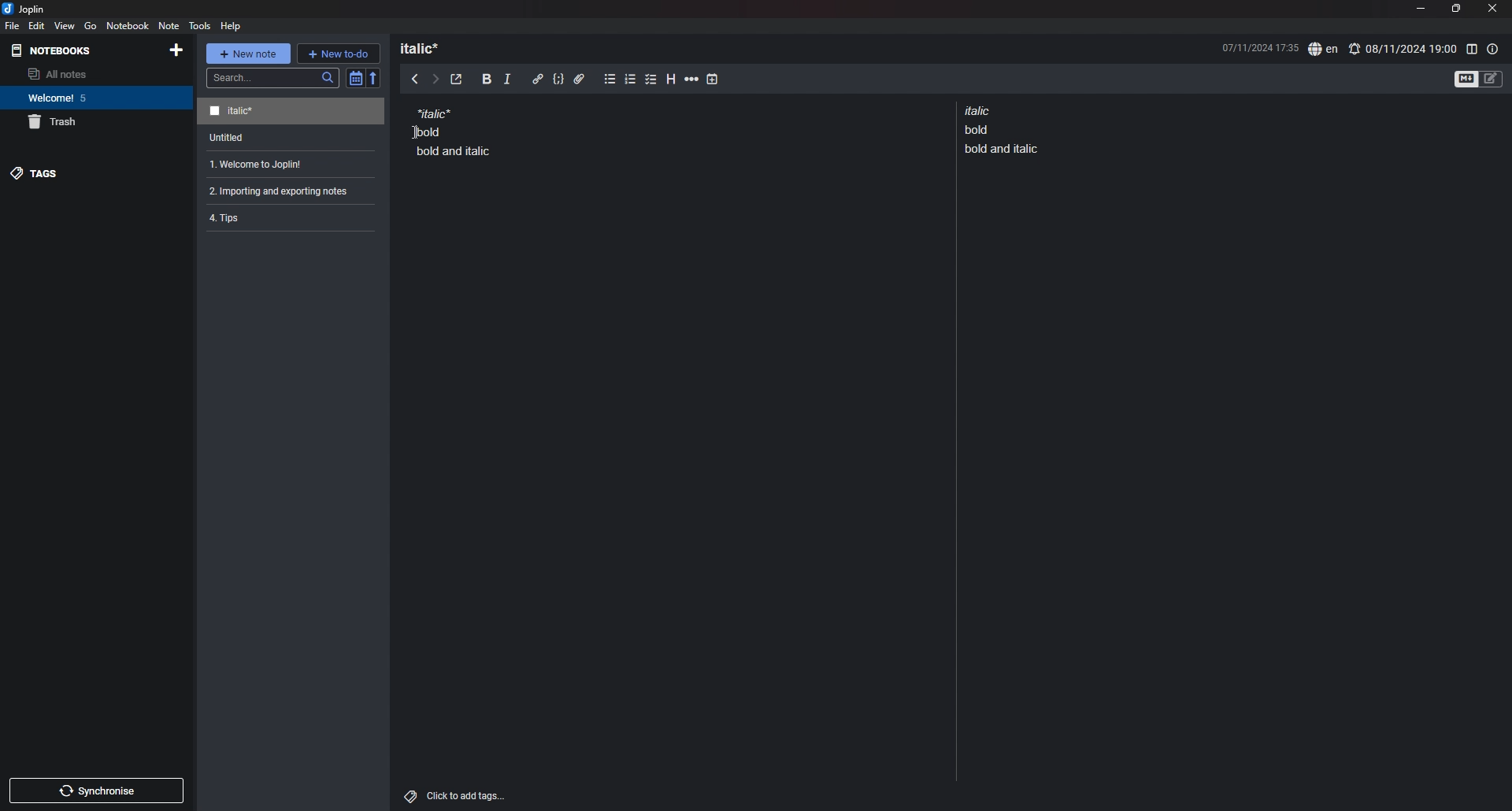 The height and width of the screenshot is (811, 1512). I want to click on bullet list, so click(610, 80).